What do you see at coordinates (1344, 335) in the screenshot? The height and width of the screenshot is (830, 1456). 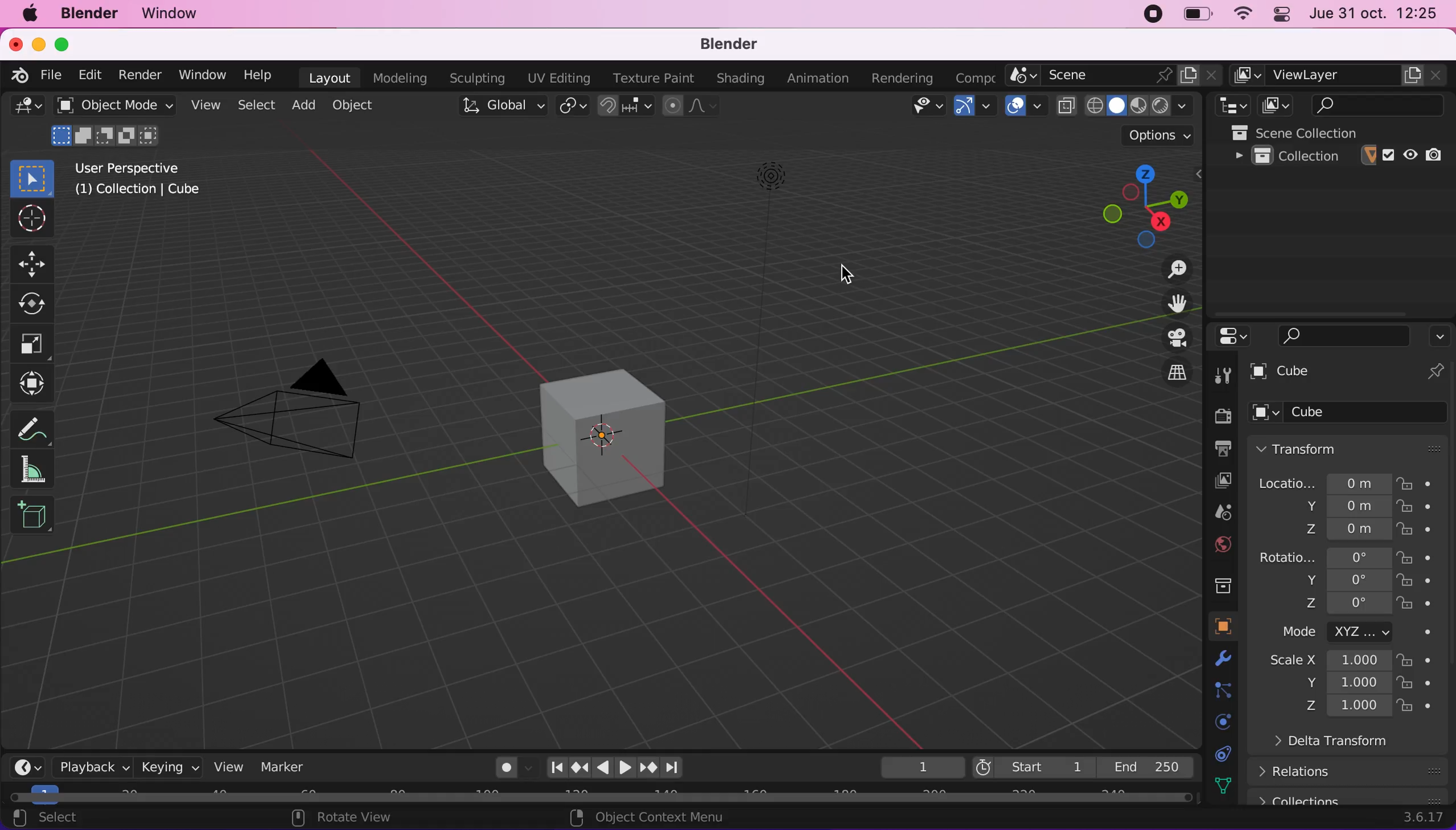 I see `search` at bounding box center [1344, 335].